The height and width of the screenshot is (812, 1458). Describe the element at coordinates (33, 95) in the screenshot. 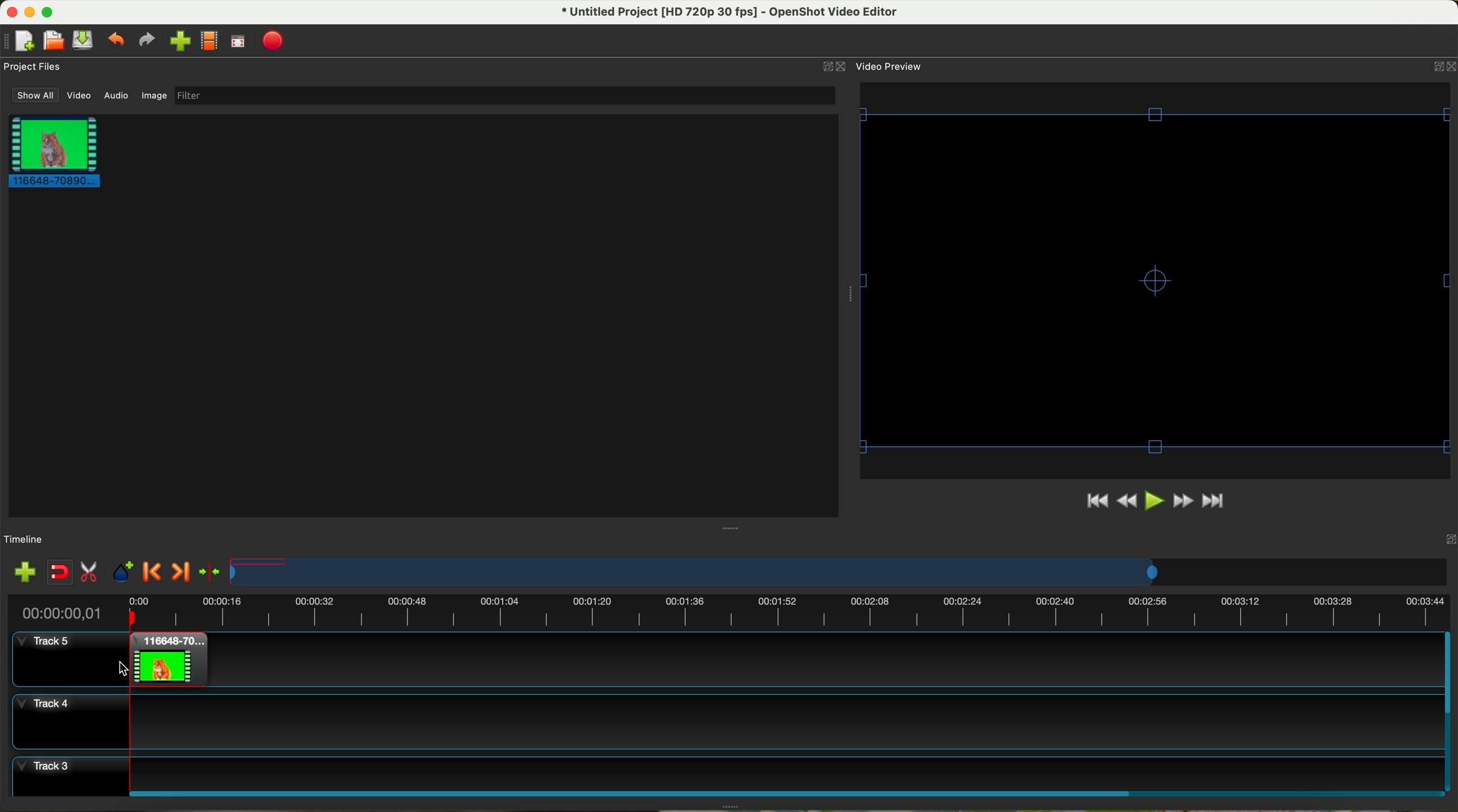

I see `show all` at that location.